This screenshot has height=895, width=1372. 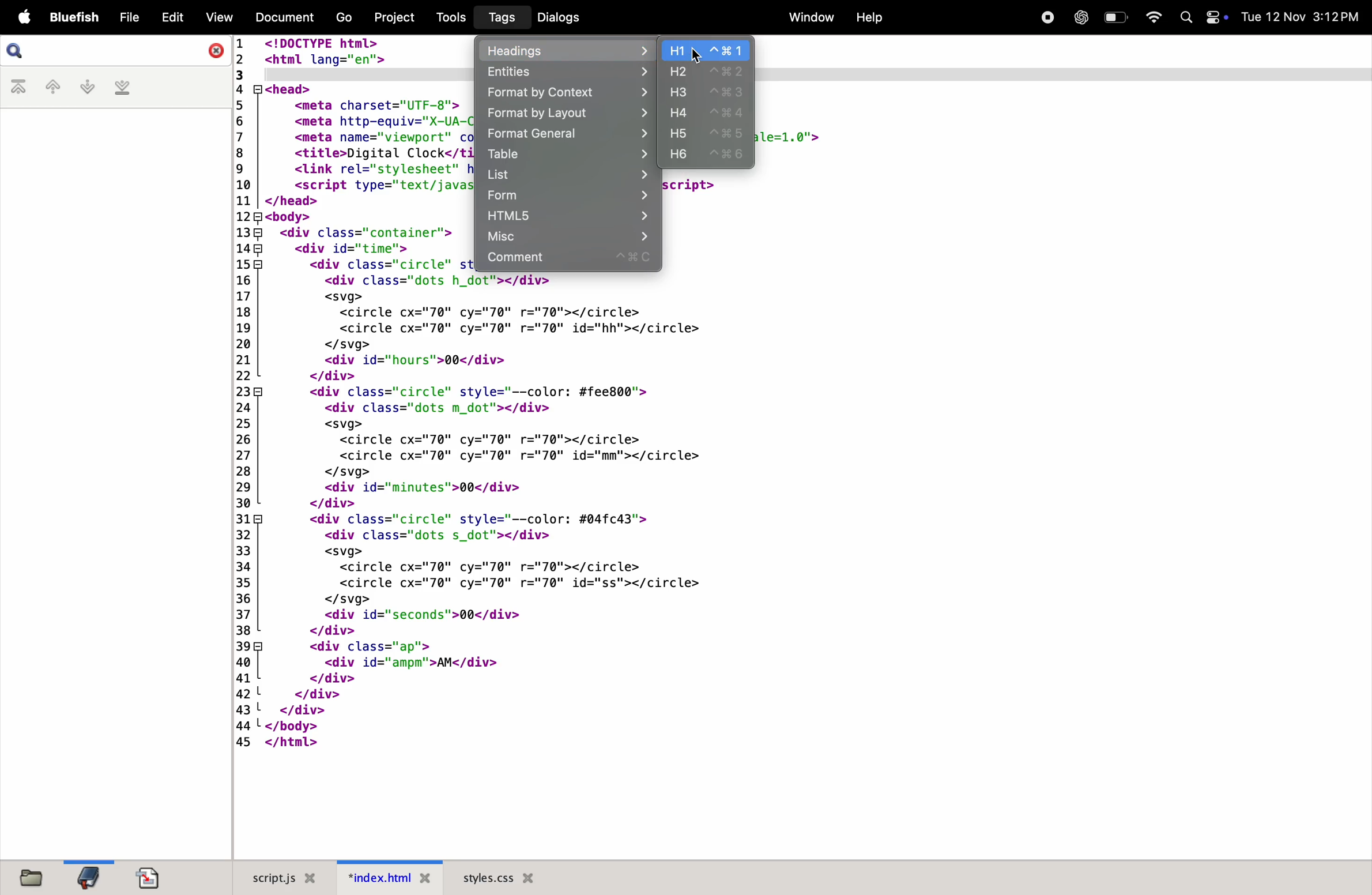 What do you see at coordinates (342, 18) in the screenshot?
I see `go` at bounding box center [342, 18].